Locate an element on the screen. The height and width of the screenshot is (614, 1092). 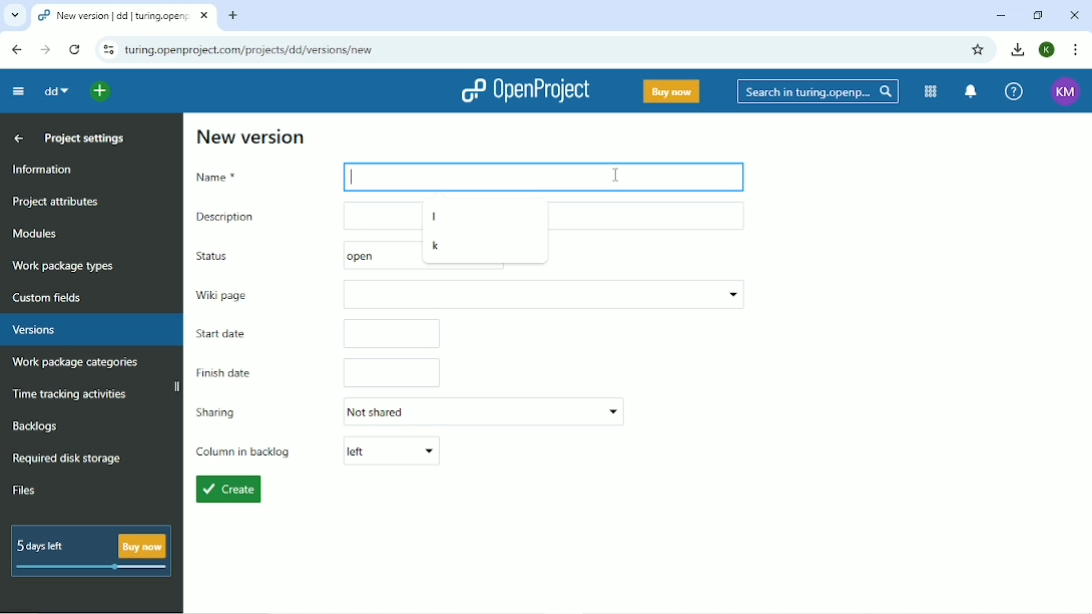
Description is located at coordinates (293, 216).